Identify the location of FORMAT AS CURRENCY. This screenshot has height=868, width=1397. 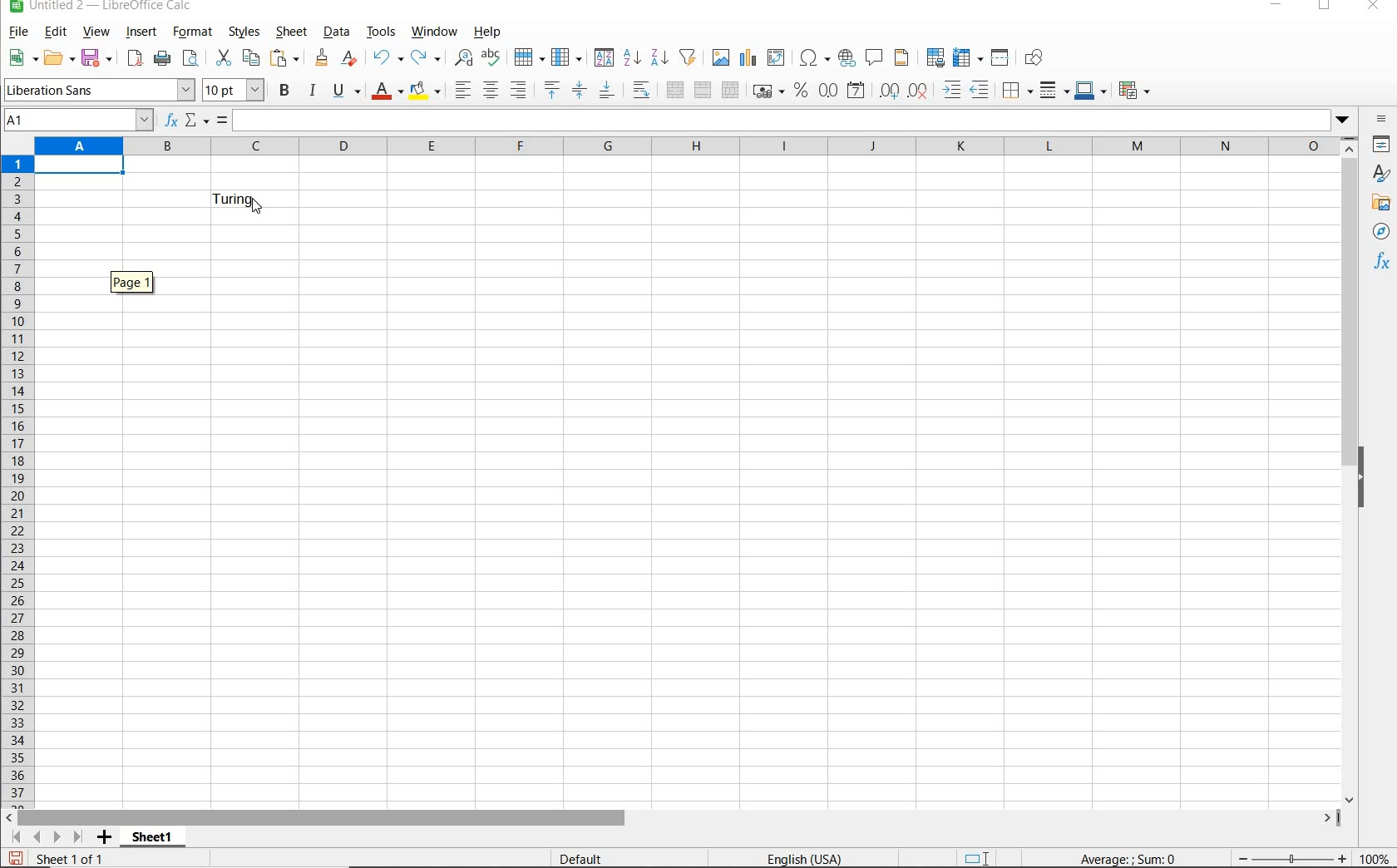
(767, 91).